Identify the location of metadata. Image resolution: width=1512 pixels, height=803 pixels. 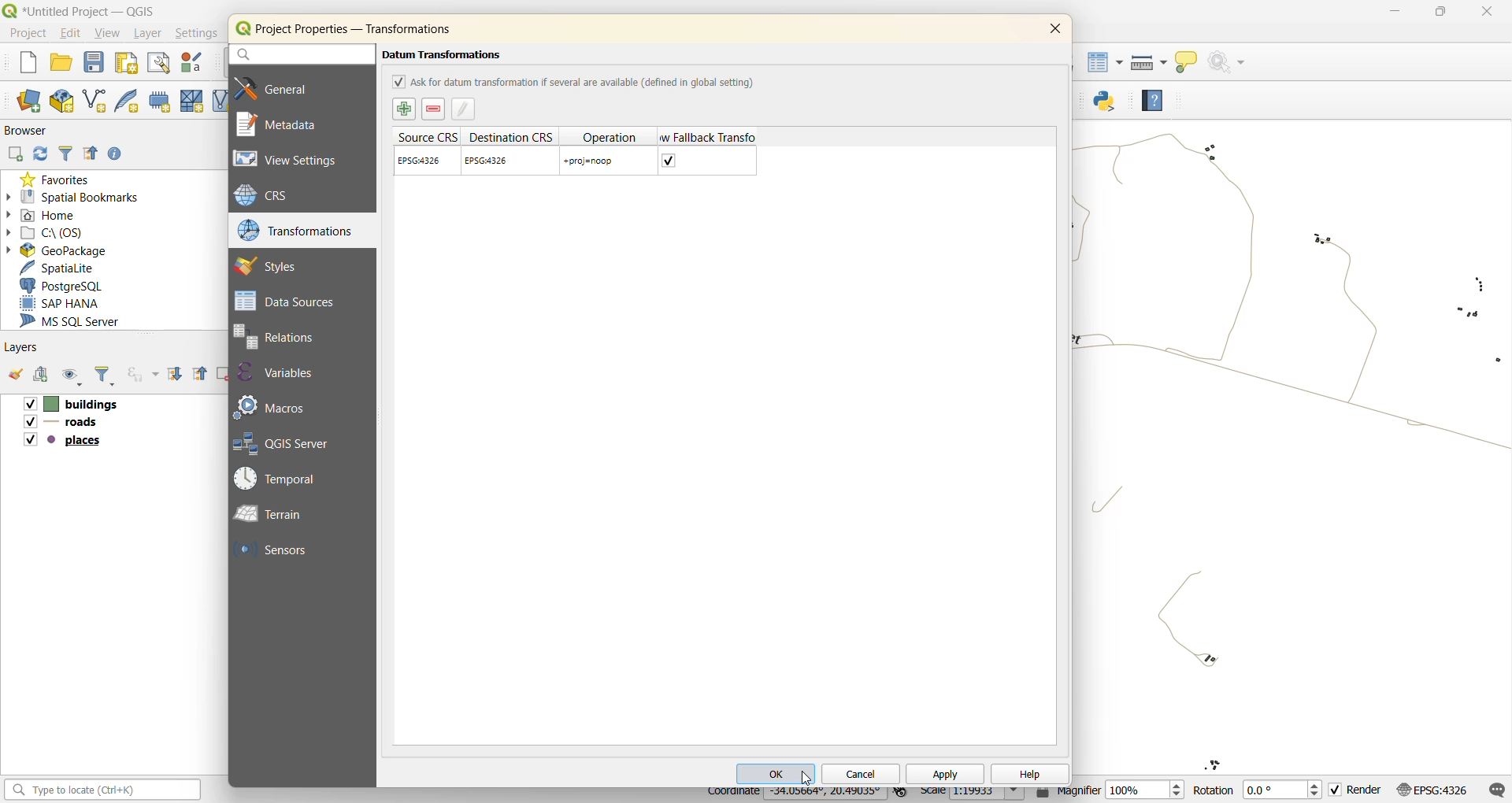
(285, 124).